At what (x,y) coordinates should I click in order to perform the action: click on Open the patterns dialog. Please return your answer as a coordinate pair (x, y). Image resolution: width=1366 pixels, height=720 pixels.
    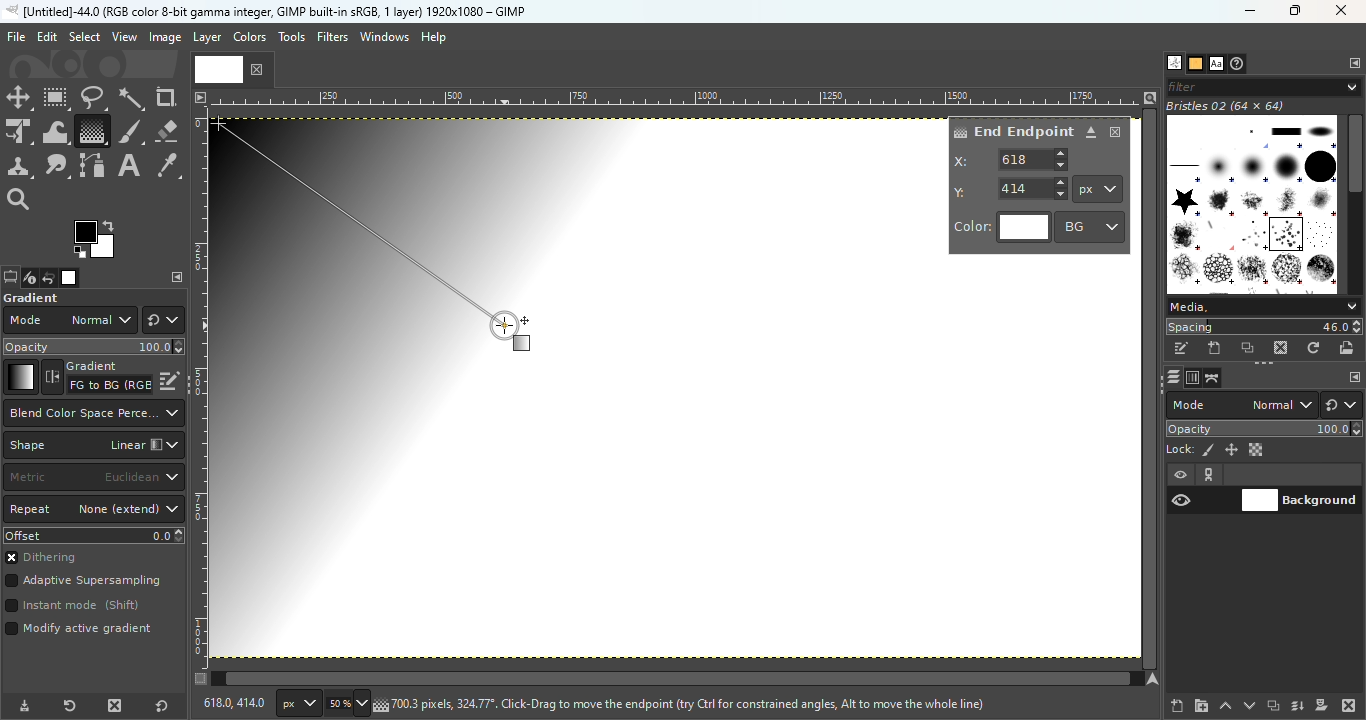
    Looking at the image, I should click on (1196, 64).